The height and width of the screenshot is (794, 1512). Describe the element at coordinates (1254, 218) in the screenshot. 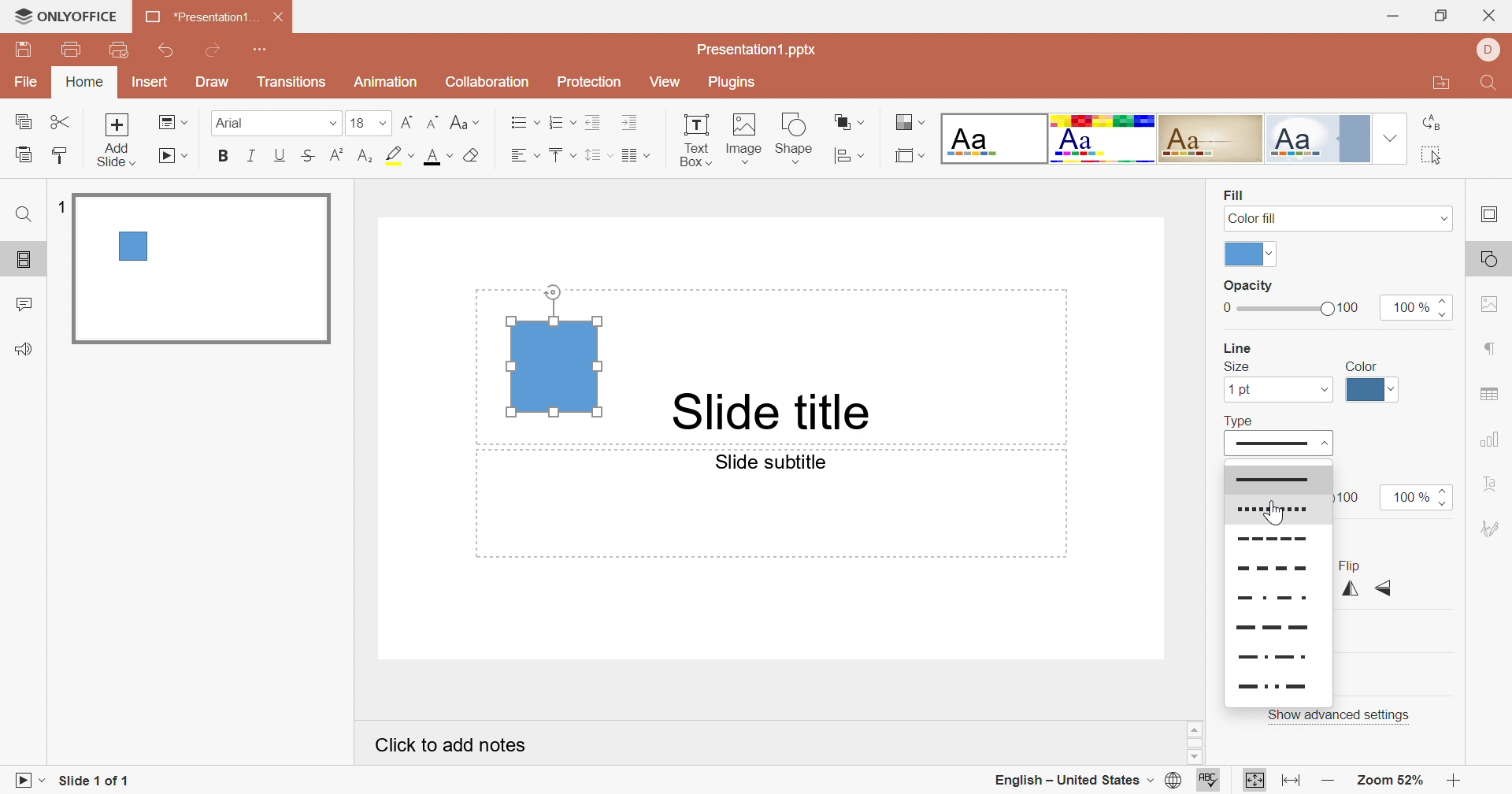

I see `Color fill` at that location.